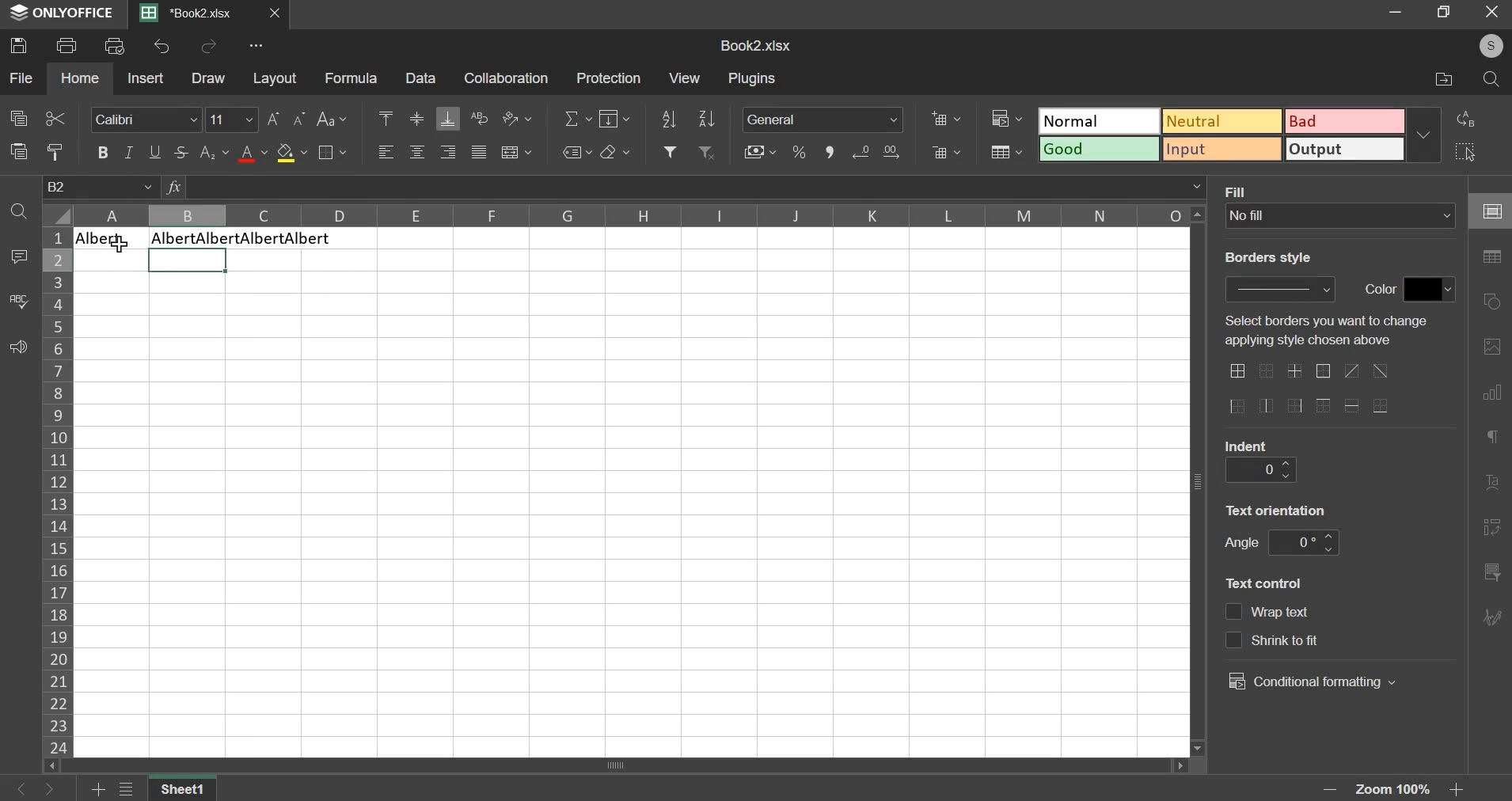 The image size is (1512, 801). Describe the element at coordinates (1241, 134) in the screenshot. I see `type` at that location.